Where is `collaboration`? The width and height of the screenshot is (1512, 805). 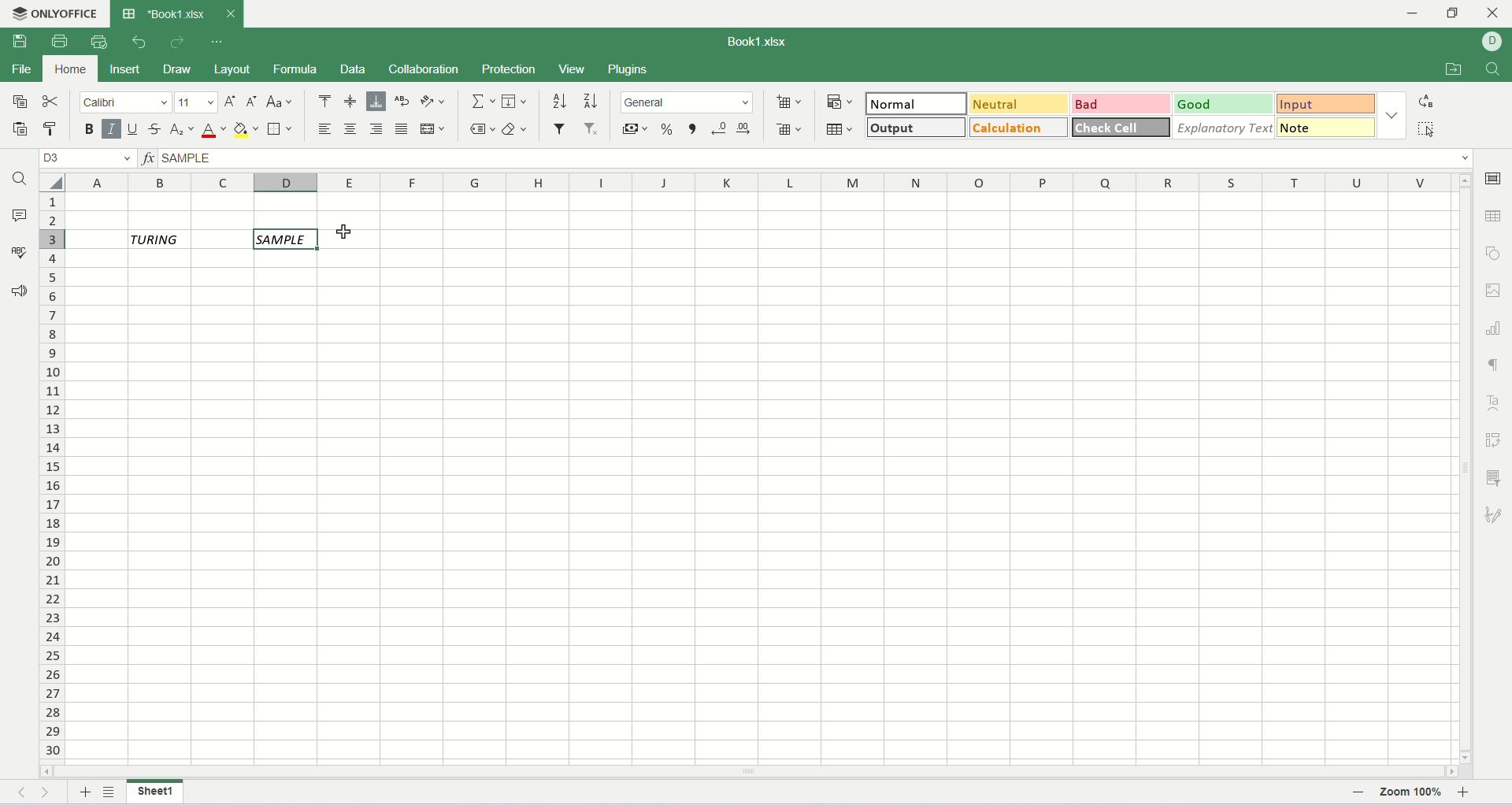 collaboration is located at coordinates (428, 71).